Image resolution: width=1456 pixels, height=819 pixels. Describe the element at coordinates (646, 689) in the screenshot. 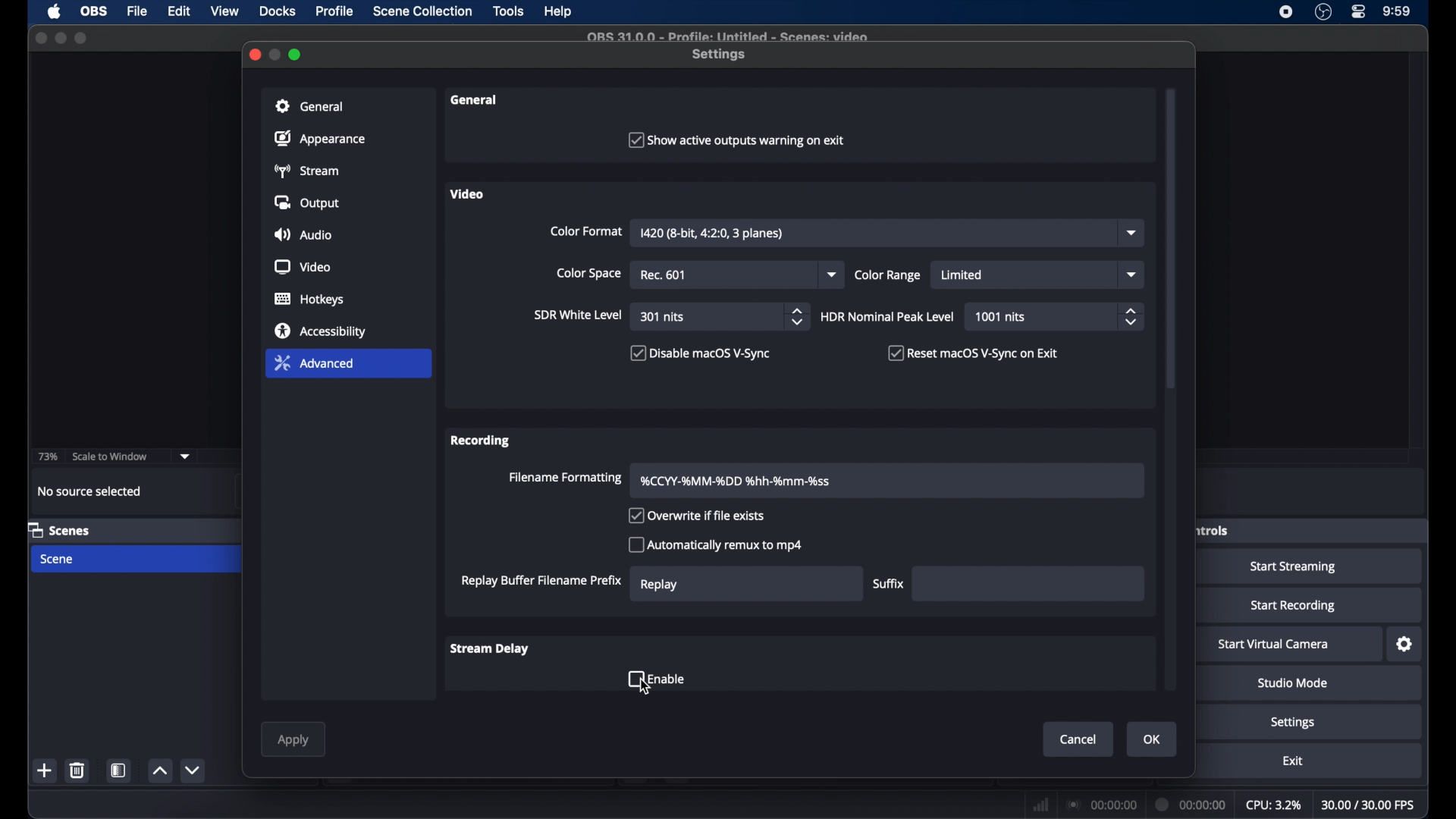

I see `cursor` at that location.